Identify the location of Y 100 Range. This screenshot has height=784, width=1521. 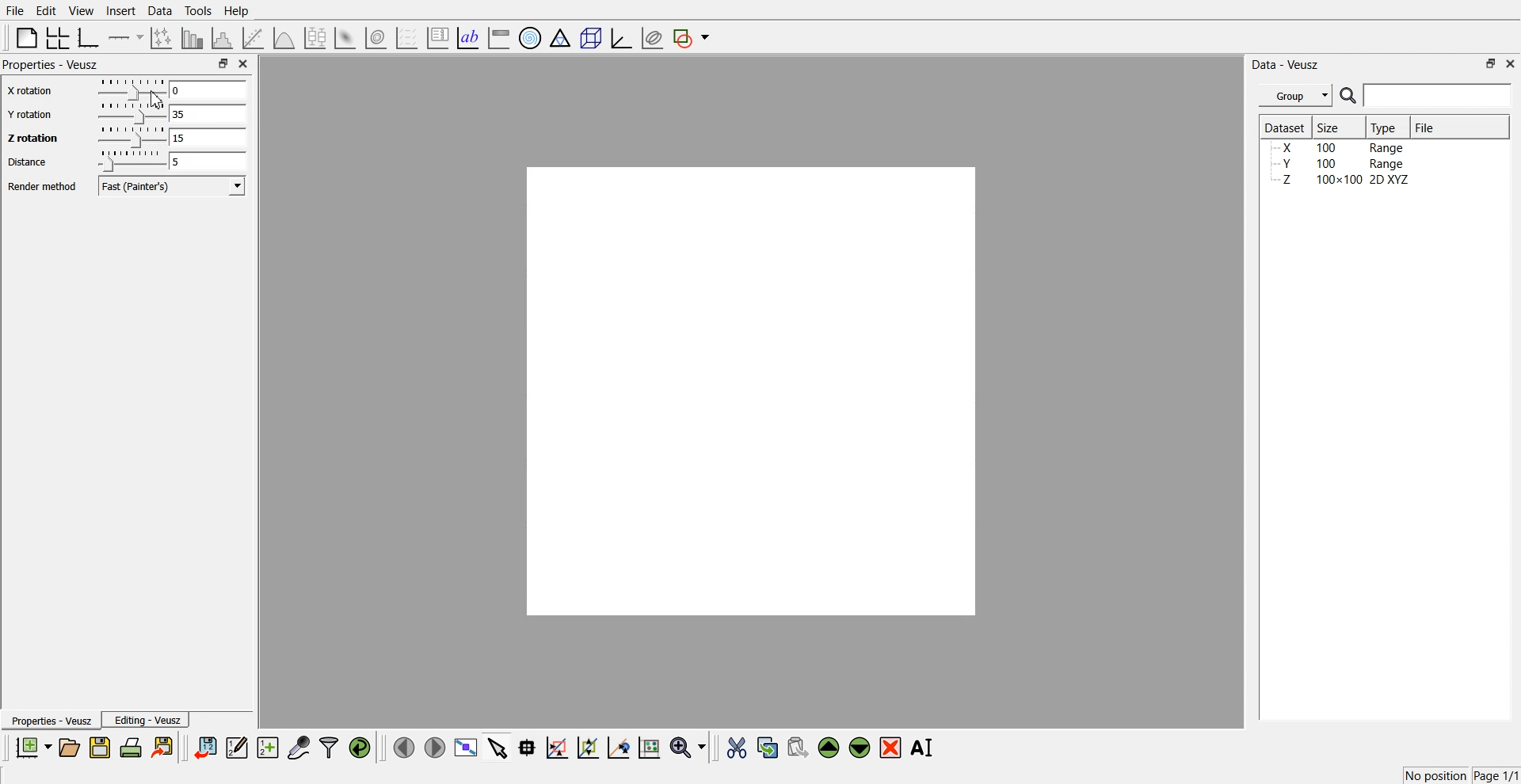
(1341, 164).